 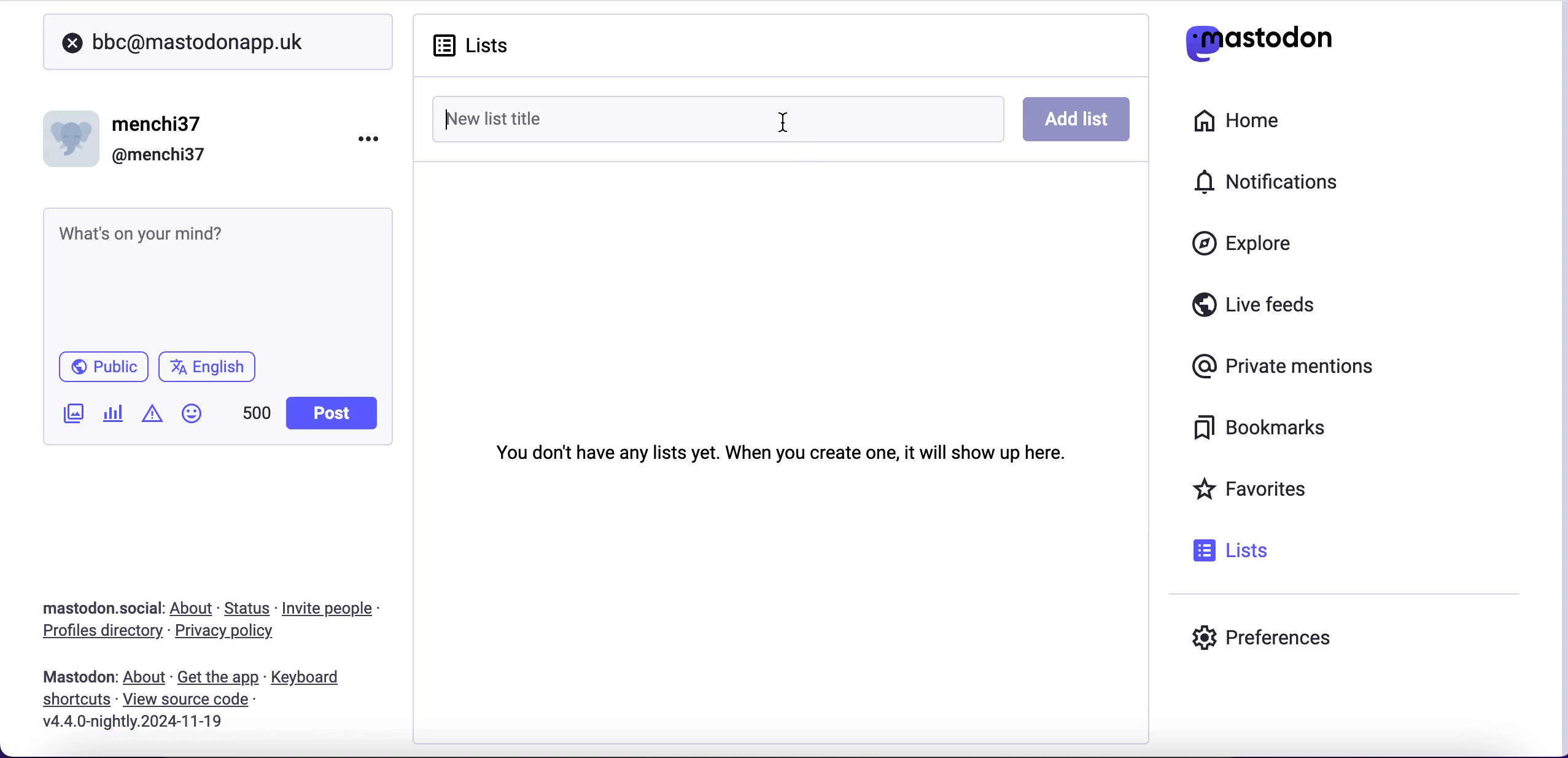 I want to click on emojis, so click(x=197, y=420).